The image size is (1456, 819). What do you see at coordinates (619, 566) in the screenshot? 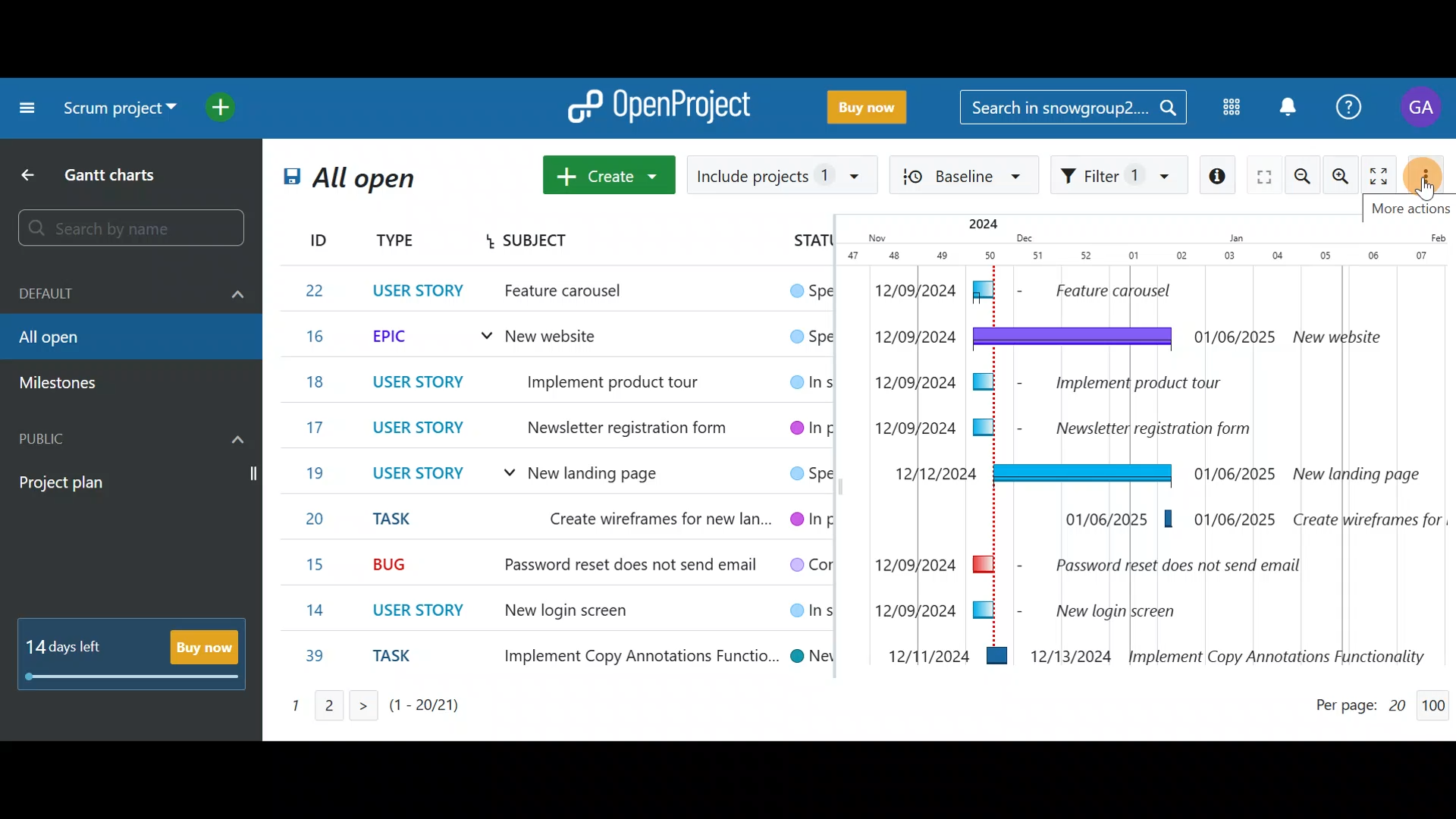
I see `Password reset does not send email` at bounding box center [619, 566].